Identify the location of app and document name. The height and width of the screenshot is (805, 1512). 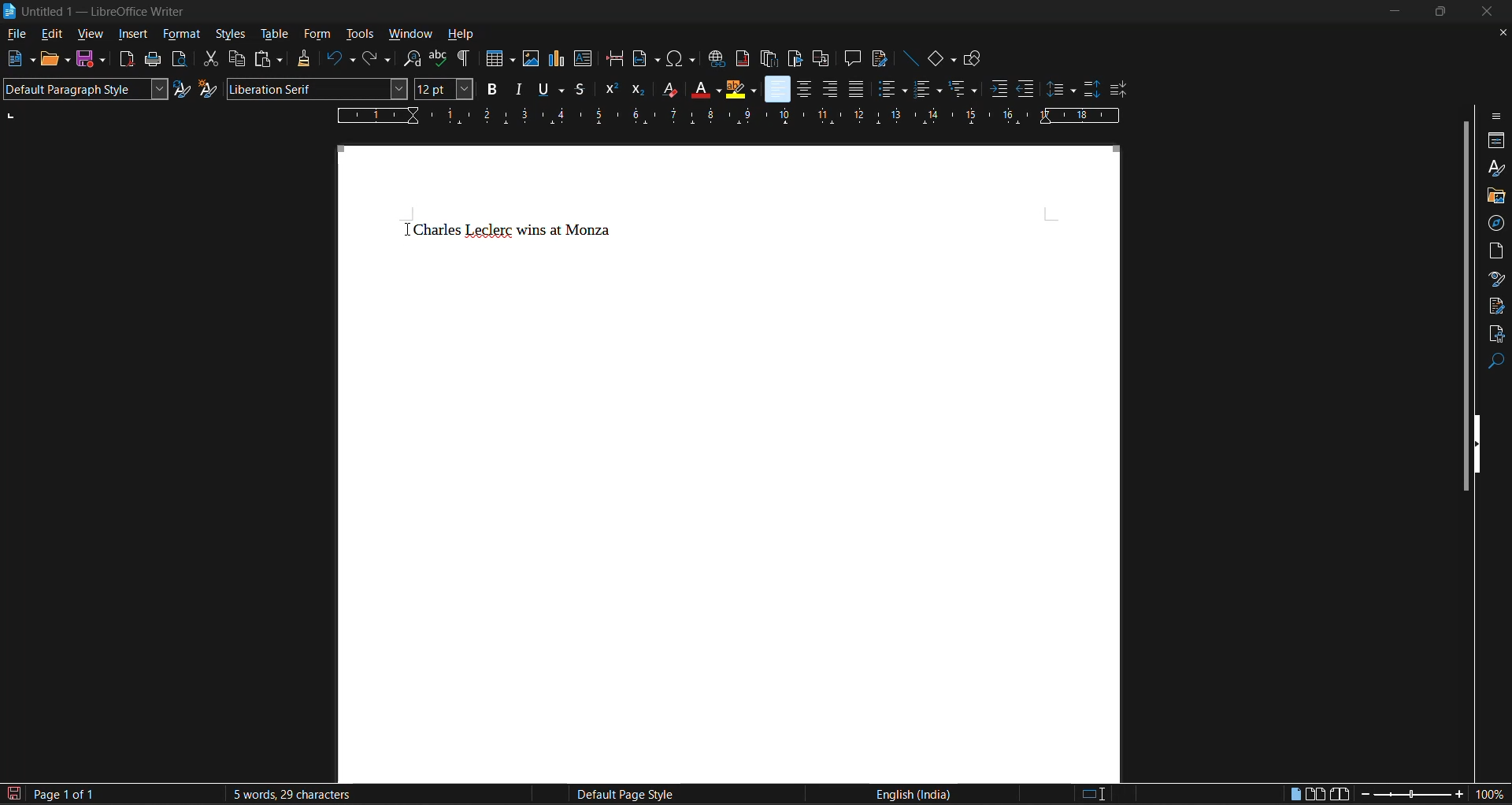
(98, 11).